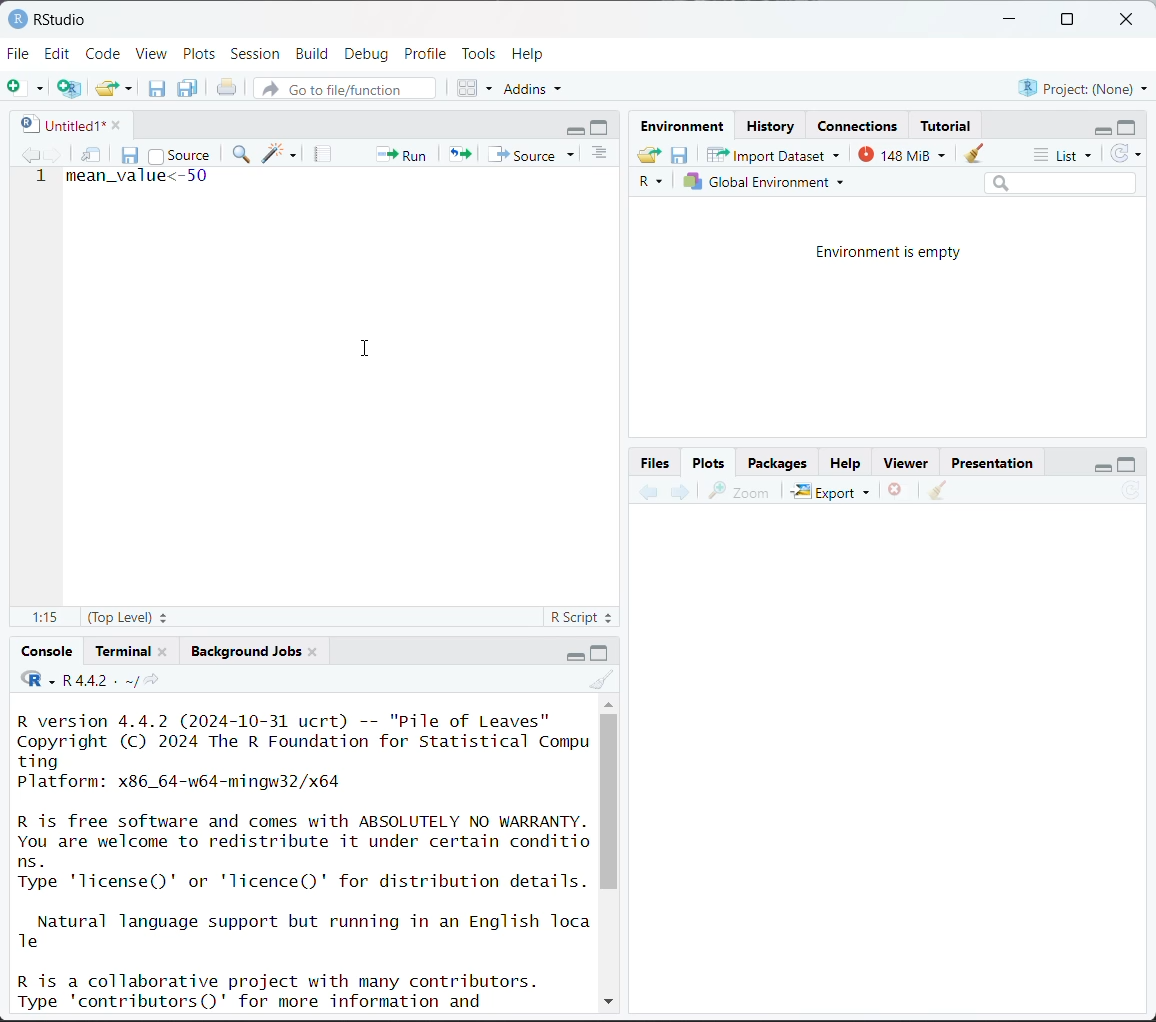 This screenshot has width=1156, height=1022. What do you see at coordinates (680, 156) in the screenshot?
I see `save workspace as` at bounding box center [680, 156].